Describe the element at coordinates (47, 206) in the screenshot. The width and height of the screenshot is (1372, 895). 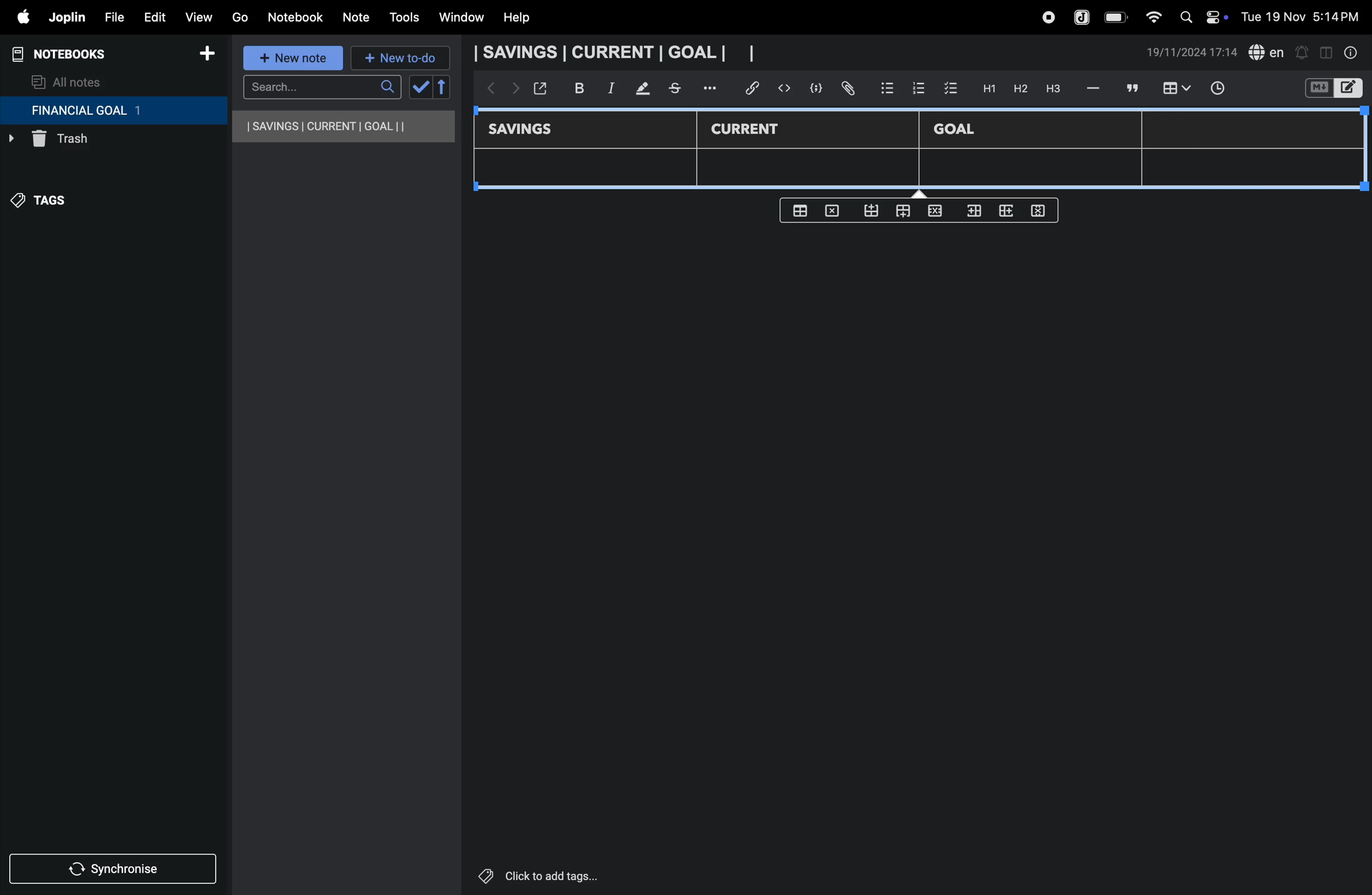
I see `tags` at that location.